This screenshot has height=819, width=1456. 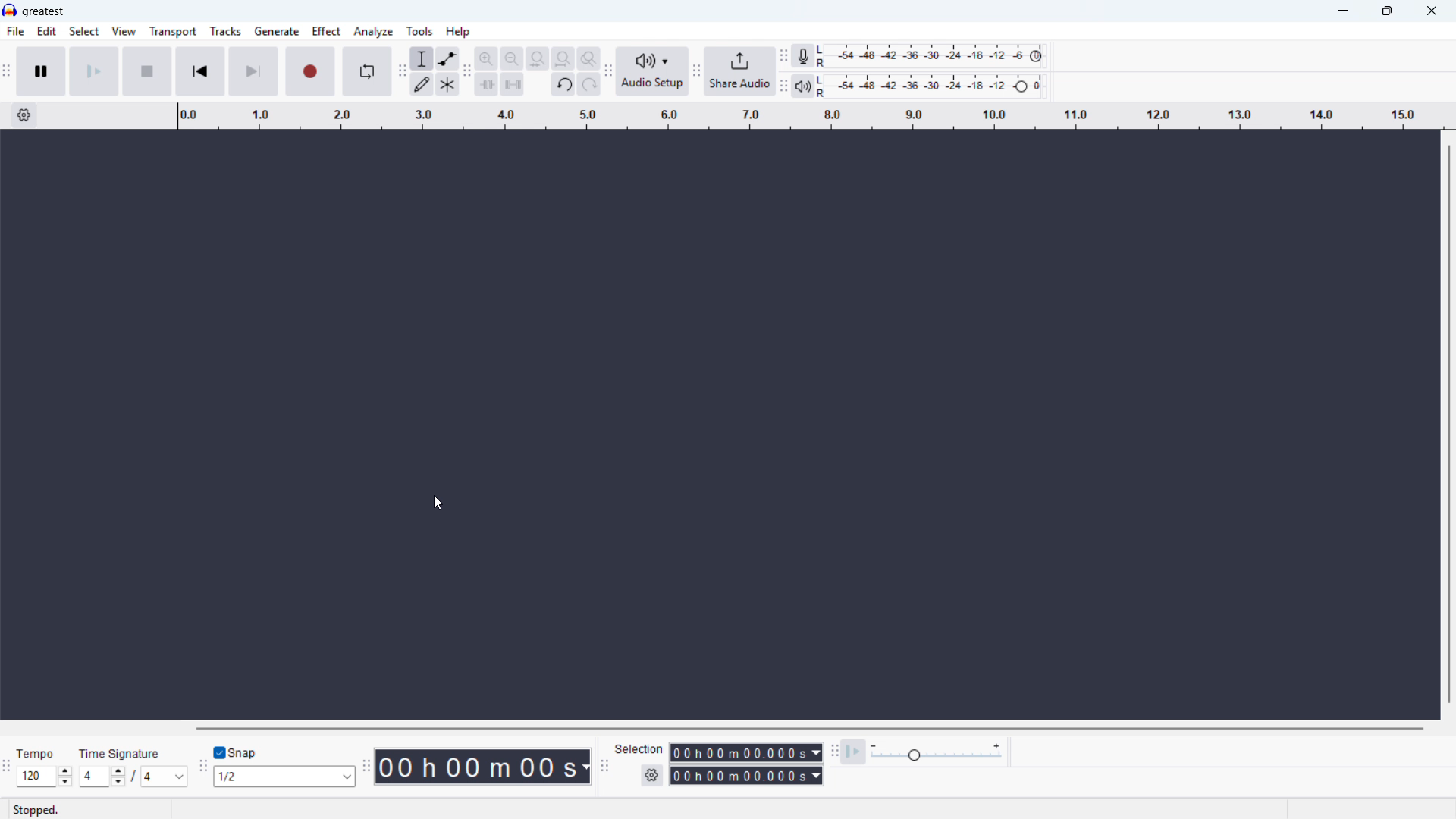 I want to click on Transport toolbar , so click(x=7, y=74).